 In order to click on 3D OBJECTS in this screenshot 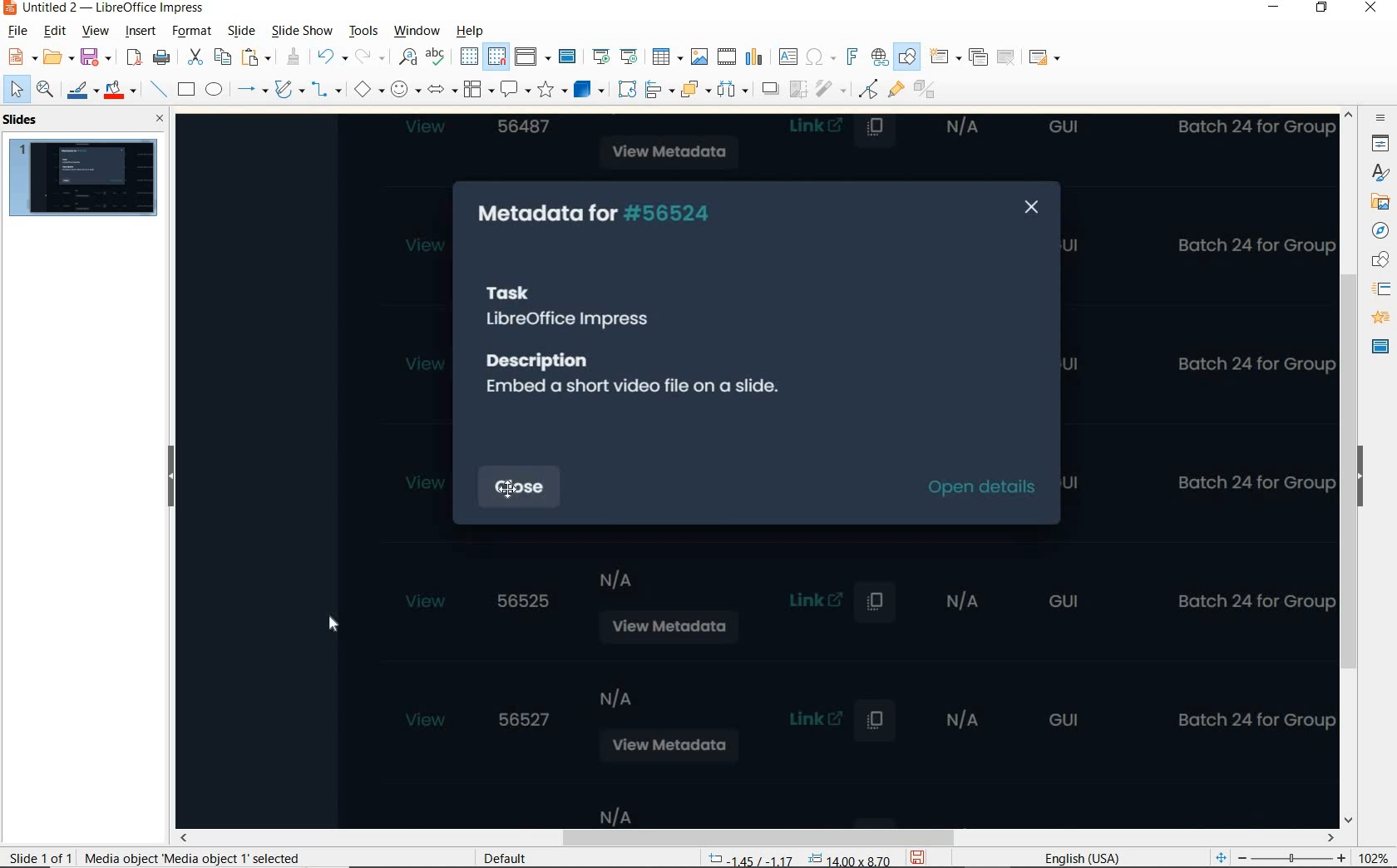, I will do `click(588, 90)`.